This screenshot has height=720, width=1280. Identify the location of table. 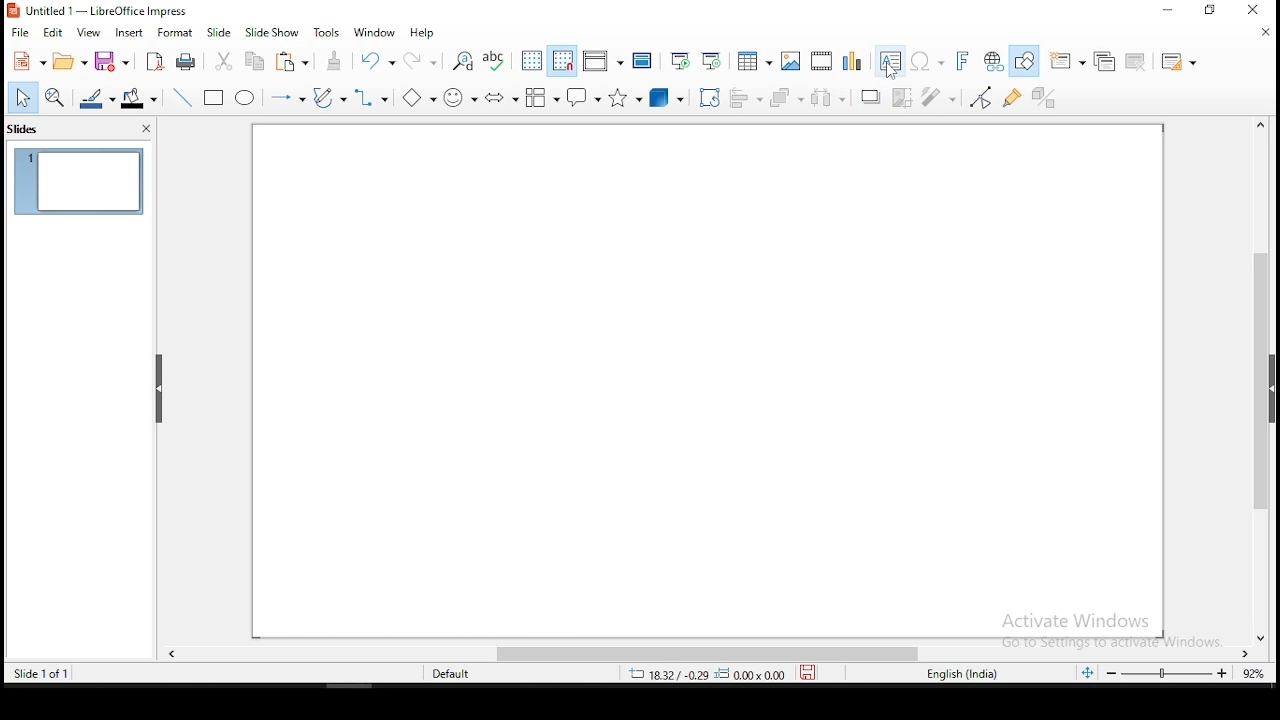
(755, 58).